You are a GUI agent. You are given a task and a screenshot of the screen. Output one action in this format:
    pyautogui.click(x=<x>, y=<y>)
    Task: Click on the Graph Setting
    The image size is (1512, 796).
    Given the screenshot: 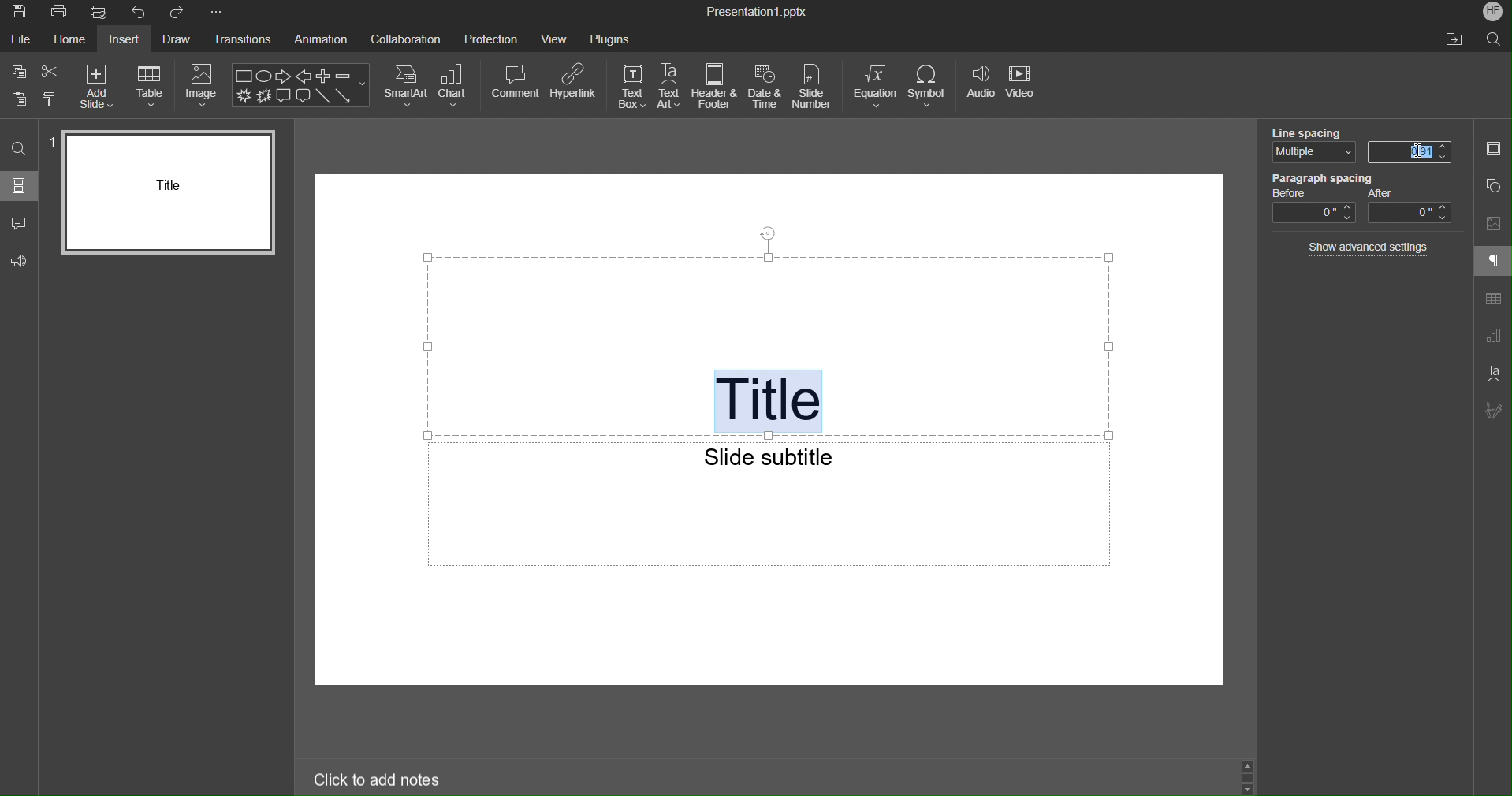 What is the action you would take?
    pyautogui.click(x=1493, y=337)
    